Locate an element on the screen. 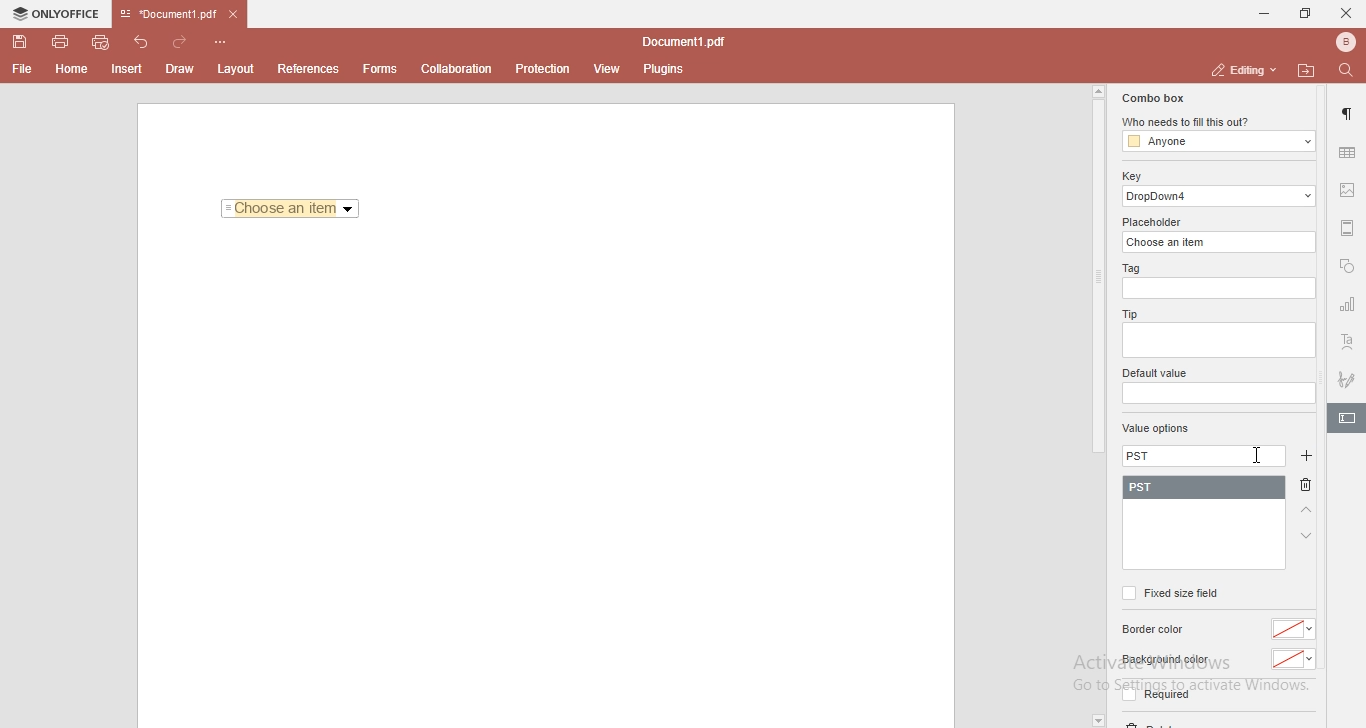 The height and width of the screenshot is (728, 1366). value options is located at coordinates (1156, 430).